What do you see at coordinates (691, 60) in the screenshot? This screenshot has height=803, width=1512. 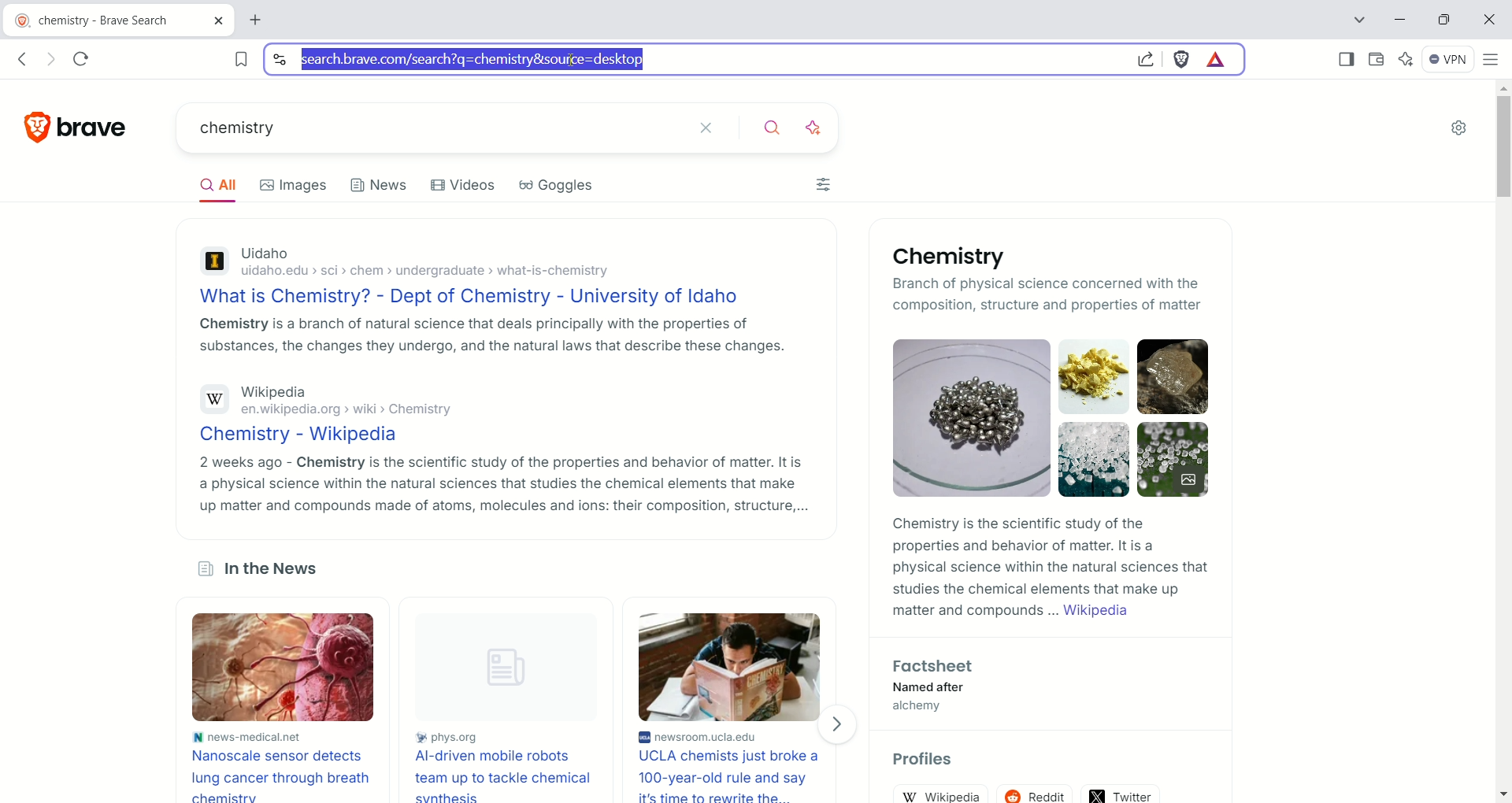 I see `search bar` at bounding box center [691, 60].